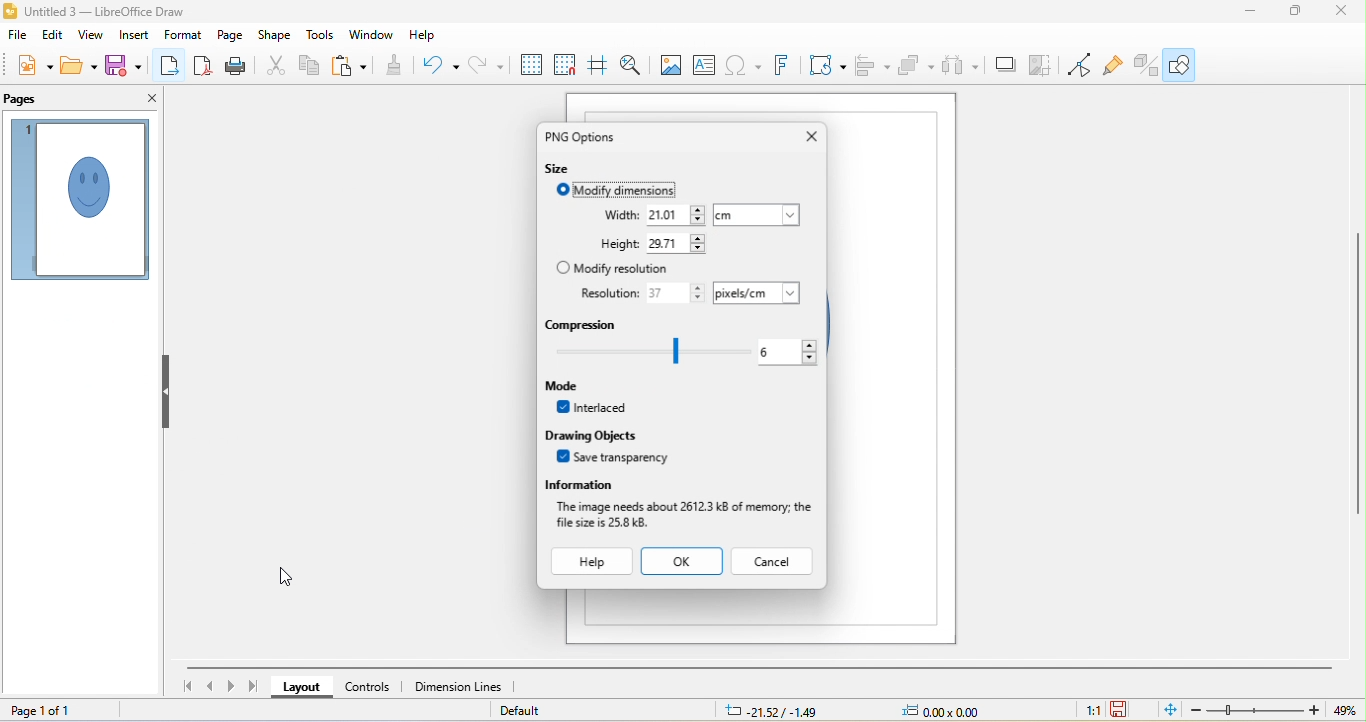 The height and width of the screenshot is (722, 1366). What do you see at coordinates (486, 64) in the screenshot?
I see `redo` at bounding box center [486, 64].